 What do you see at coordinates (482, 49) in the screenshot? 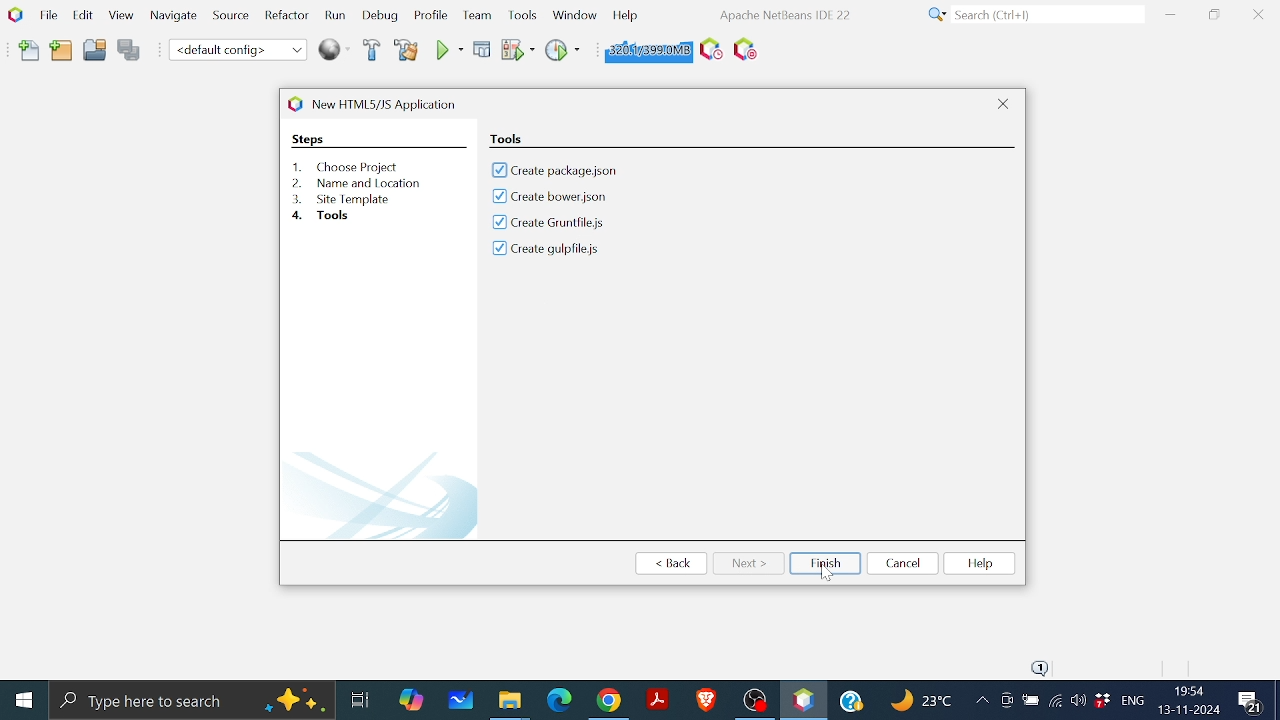
I see `Debug` at bounding box center [482, 49].